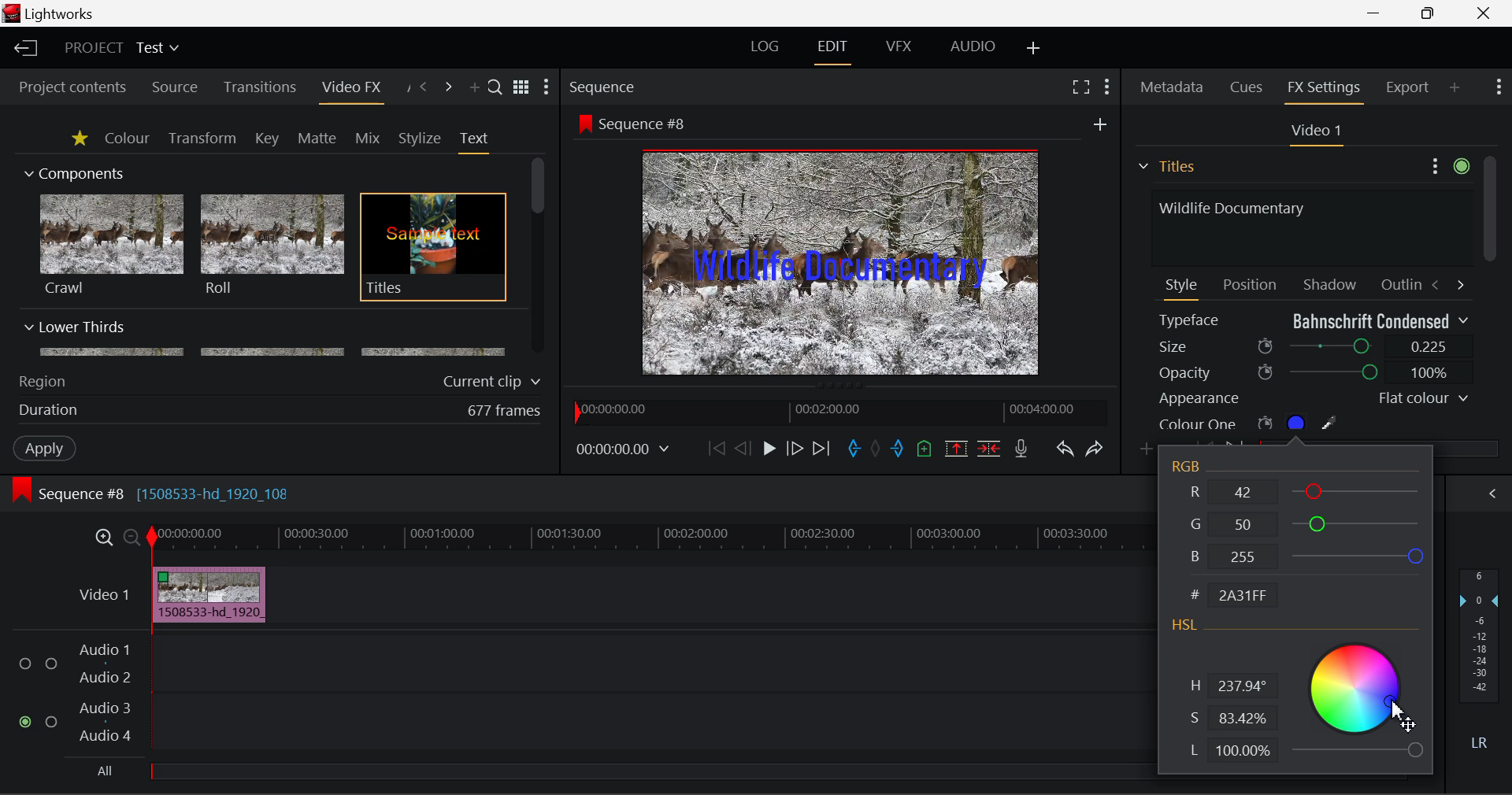  What do you see at coordinates (1447, 283) in the screenshot?
I see `Move between Tabs` at bounding box center [1447, 283].